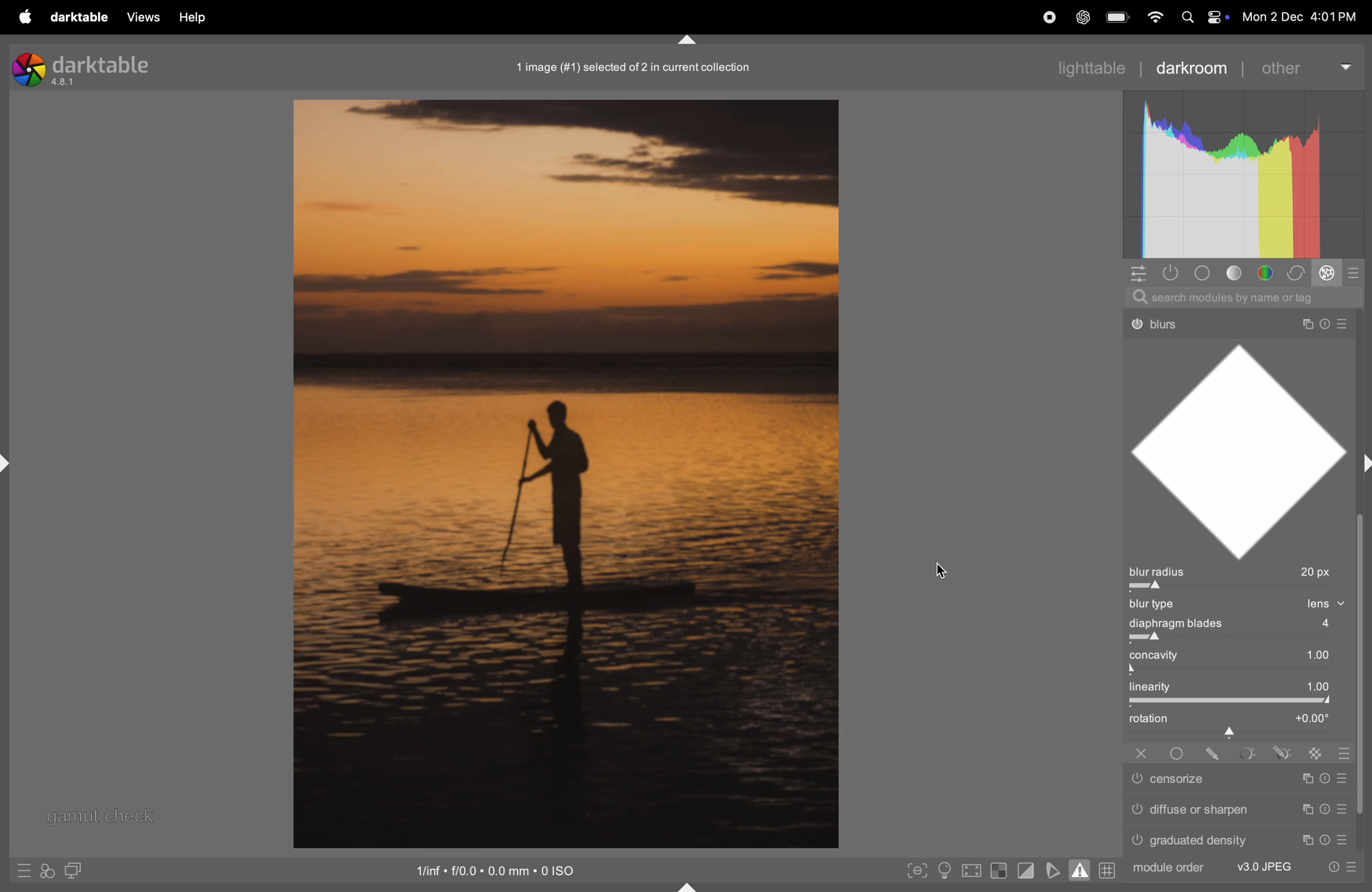 Image resolution: width=1372 pixels, height=892 pixels. What do you see at coordinates (1081, 869) in the screenshot?
I see `toggle gamut checking` at bounding box center [1081, 869].